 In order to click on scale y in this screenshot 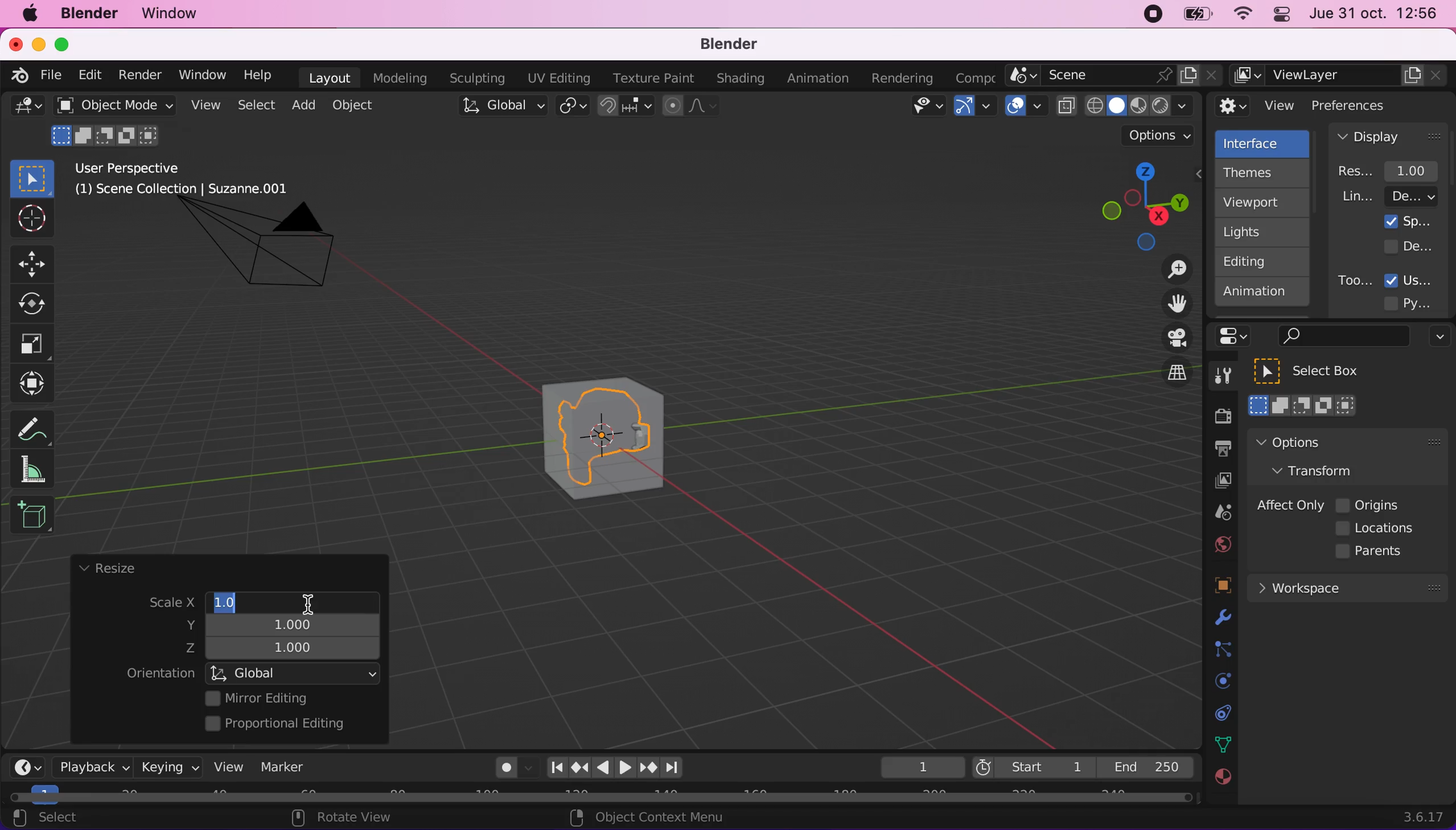, I will do `click(287, 624)`.